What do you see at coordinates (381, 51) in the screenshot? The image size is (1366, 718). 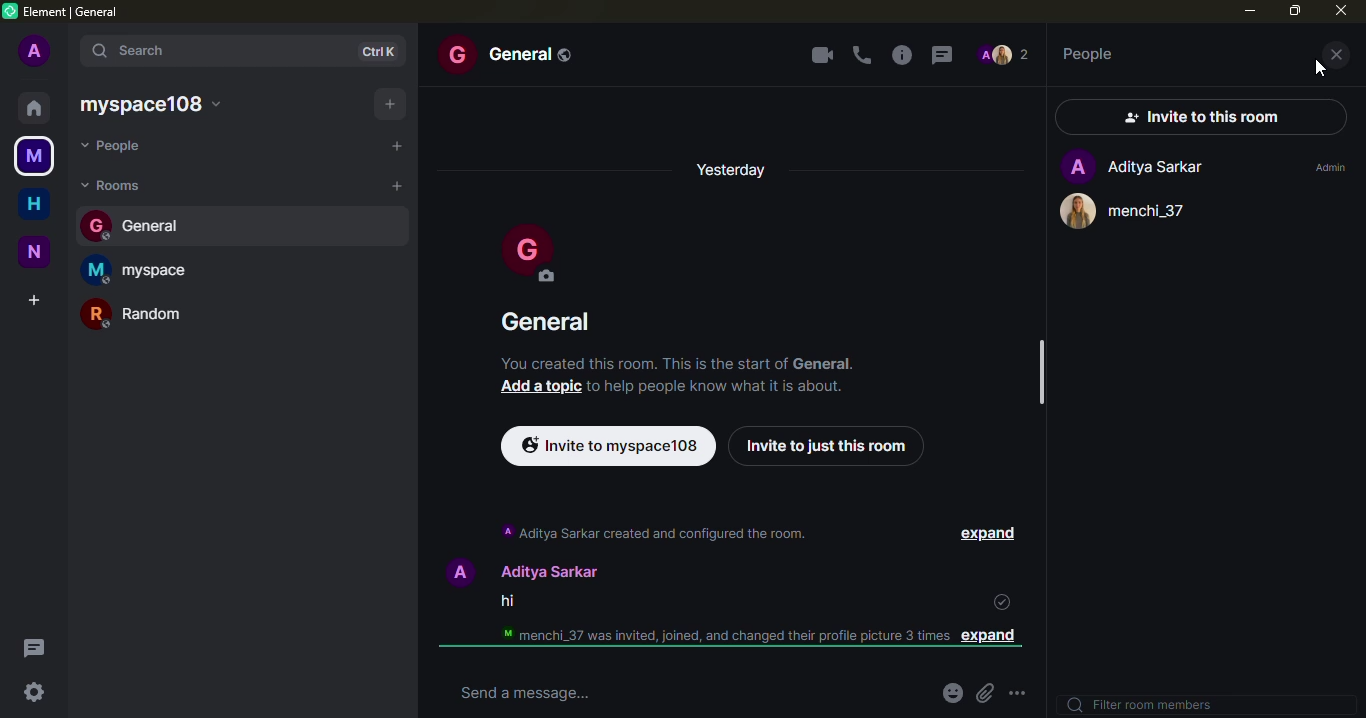 I see `ctrl+k` at bounding box center [381, 51].